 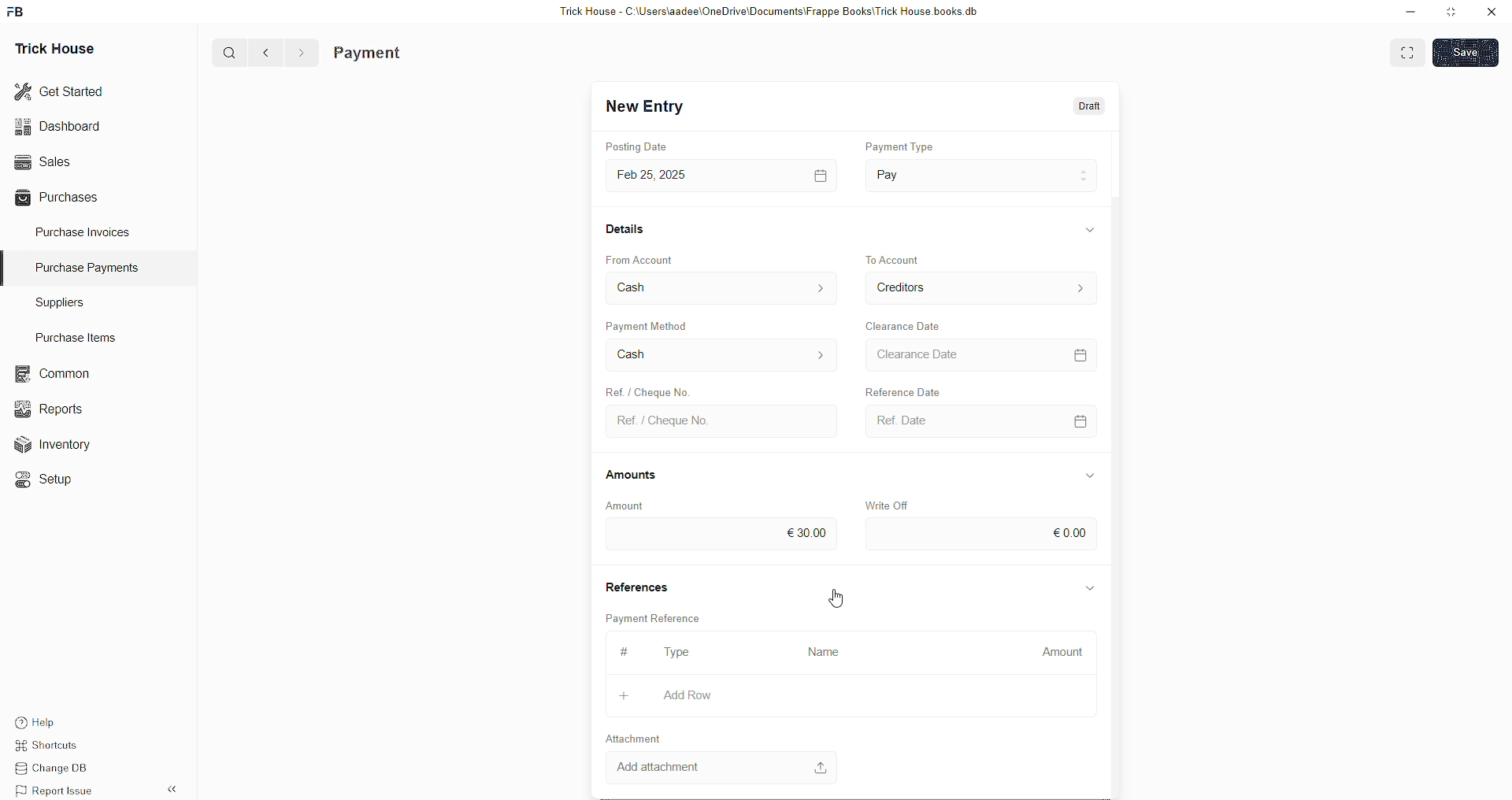 I want to click on Pay, so click(x=913, y=174).